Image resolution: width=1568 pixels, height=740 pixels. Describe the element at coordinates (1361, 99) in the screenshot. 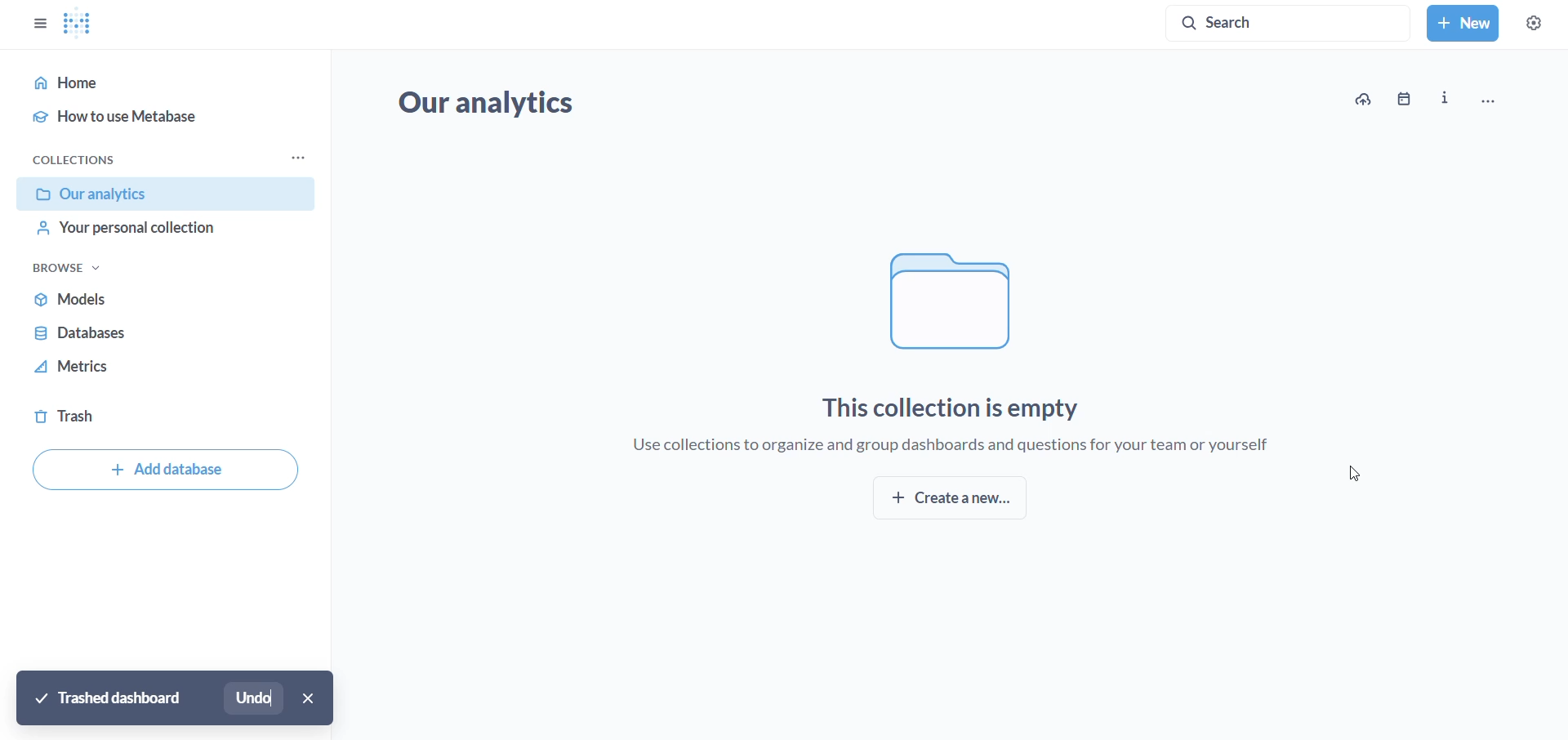

I see `upload` at that location.